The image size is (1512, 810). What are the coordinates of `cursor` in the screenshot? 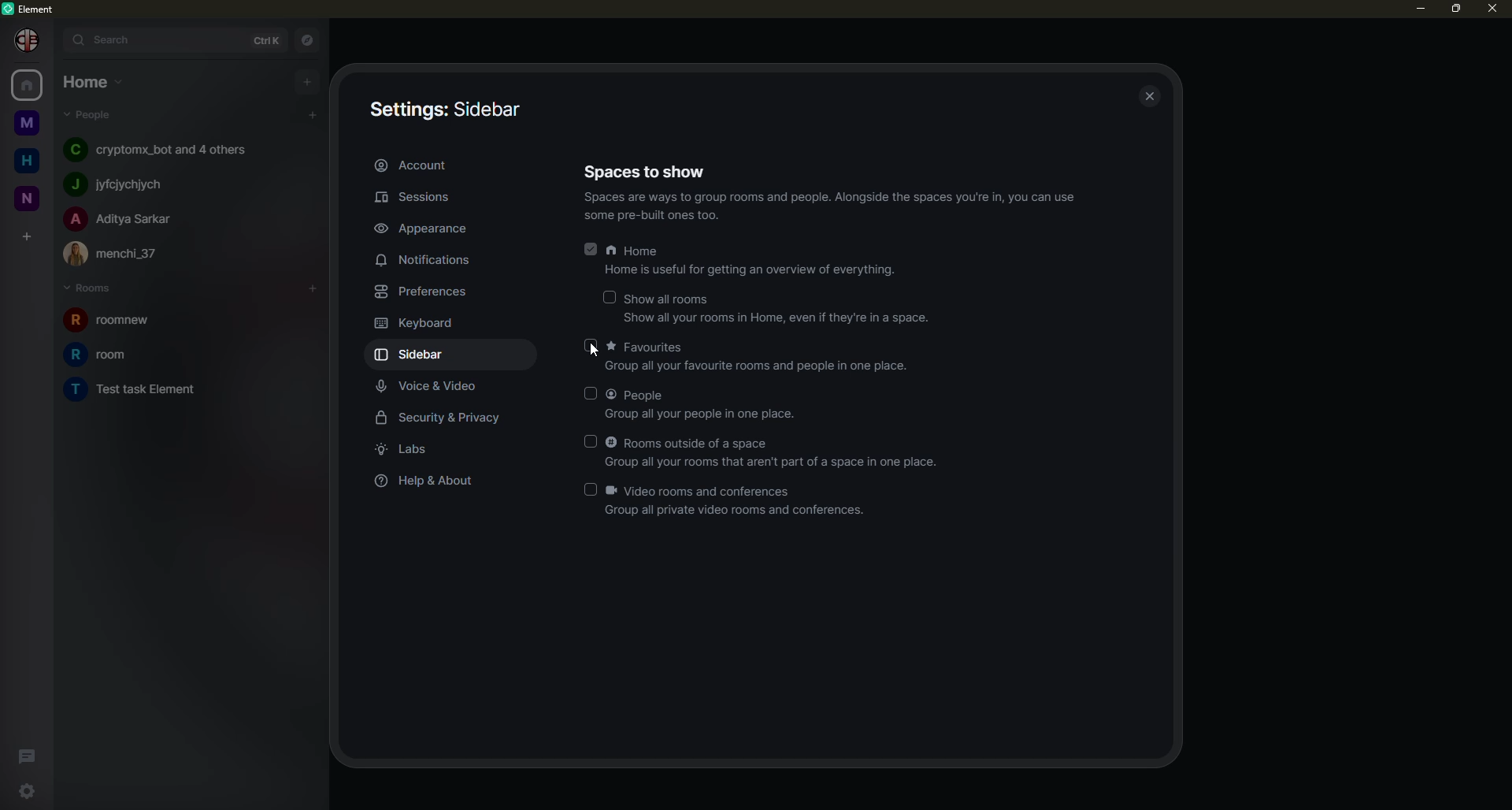 It's located at (591, 351).